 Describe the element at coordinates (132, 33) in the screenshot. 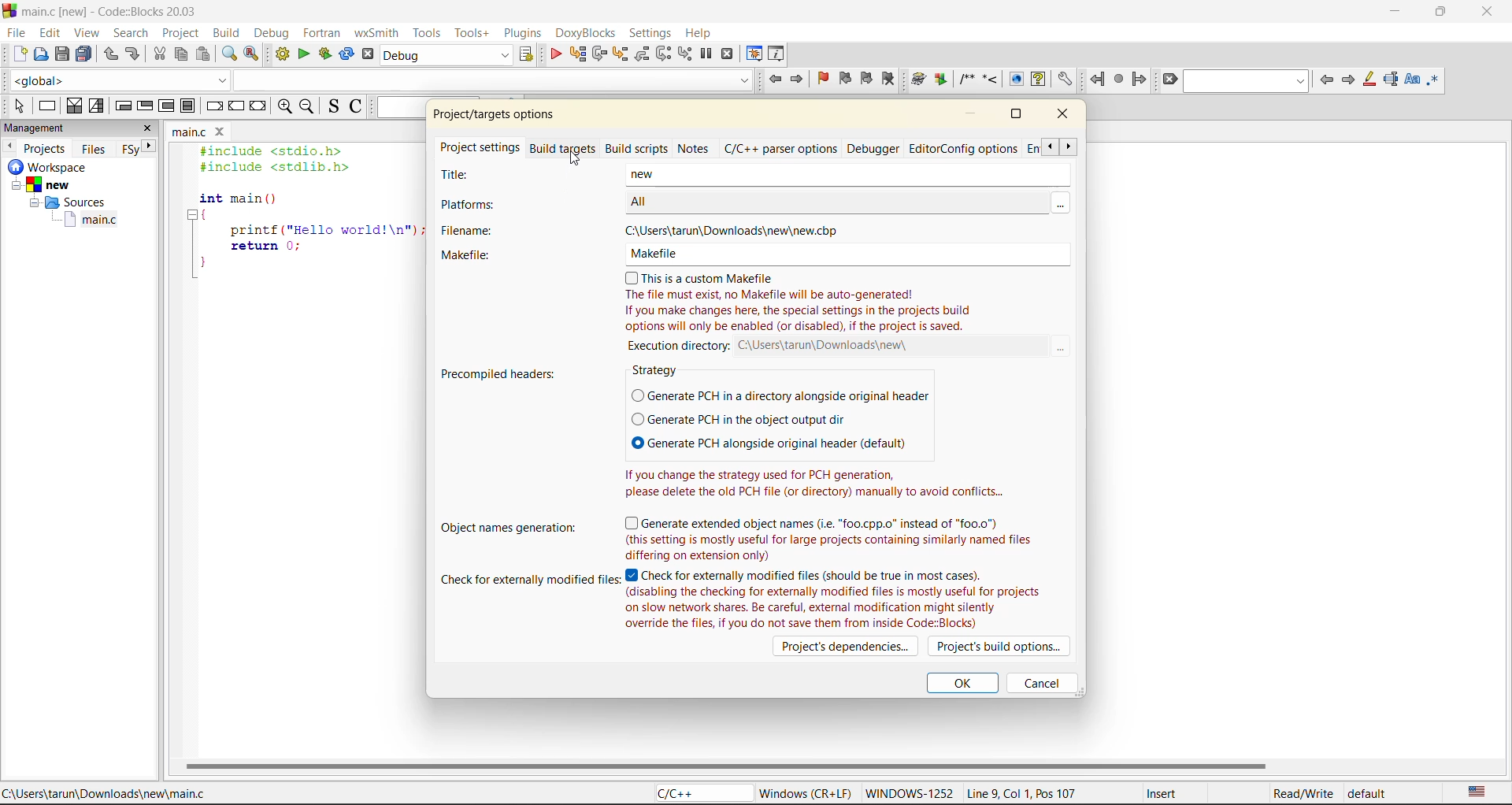

I see `search` at that location.